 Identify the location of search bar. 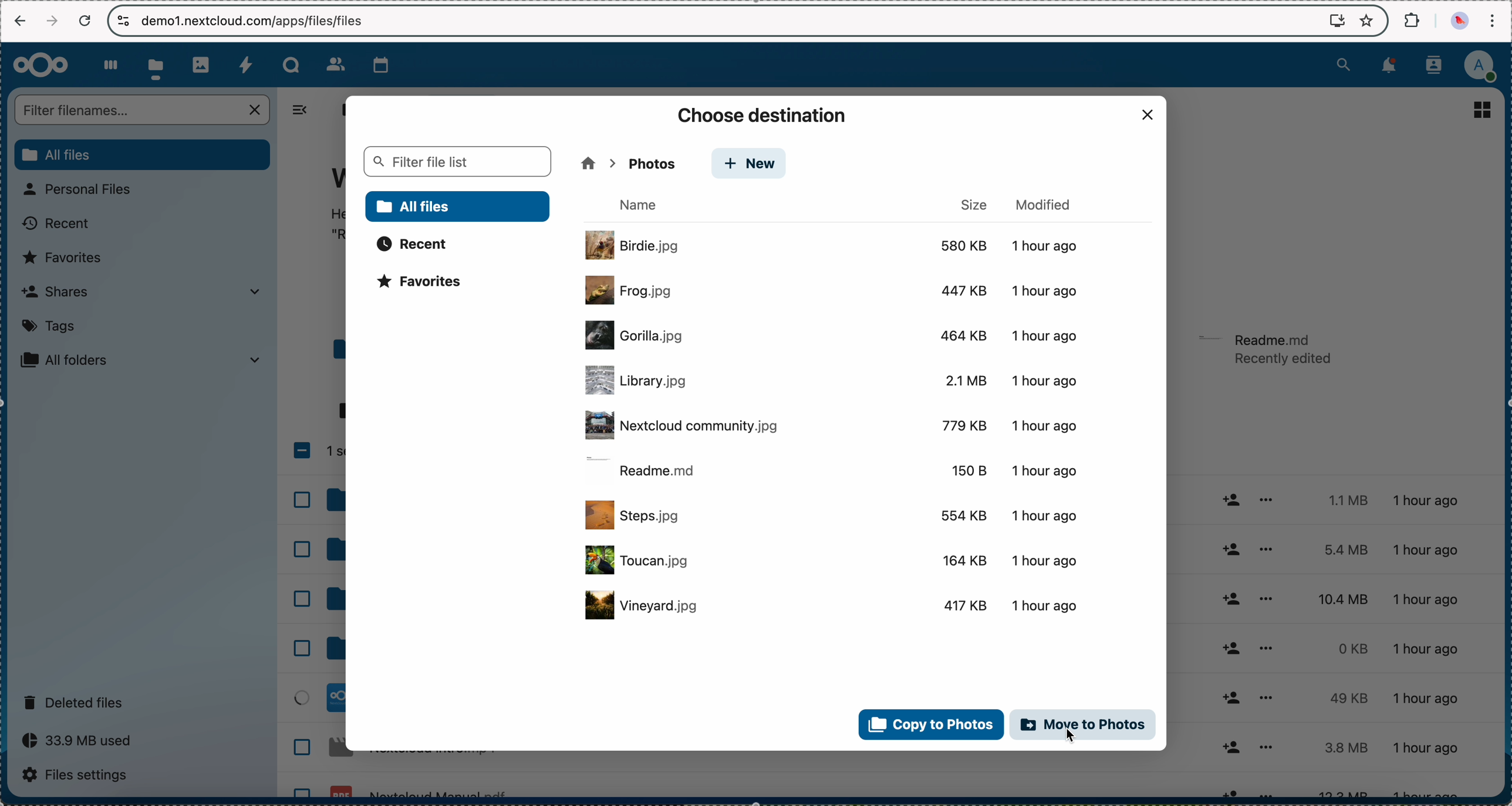
(456, 161).